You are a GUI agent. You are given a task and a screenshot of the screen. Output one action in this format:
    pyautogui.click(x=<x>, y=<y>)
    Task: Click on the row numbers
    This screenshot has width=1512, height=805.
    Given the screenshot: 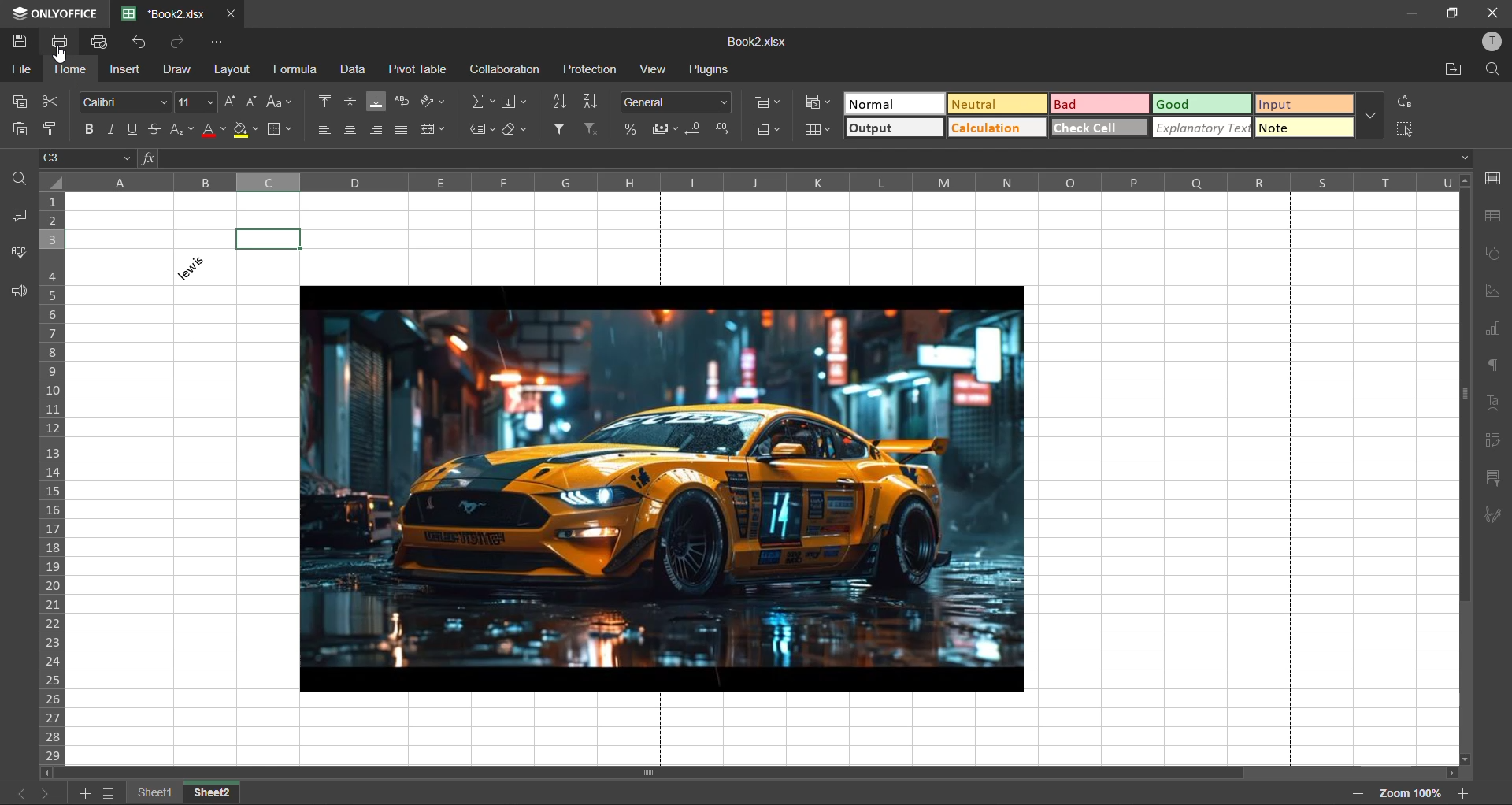 What is the action you would take?
    pyautogui.click(x=54, y=480)
    